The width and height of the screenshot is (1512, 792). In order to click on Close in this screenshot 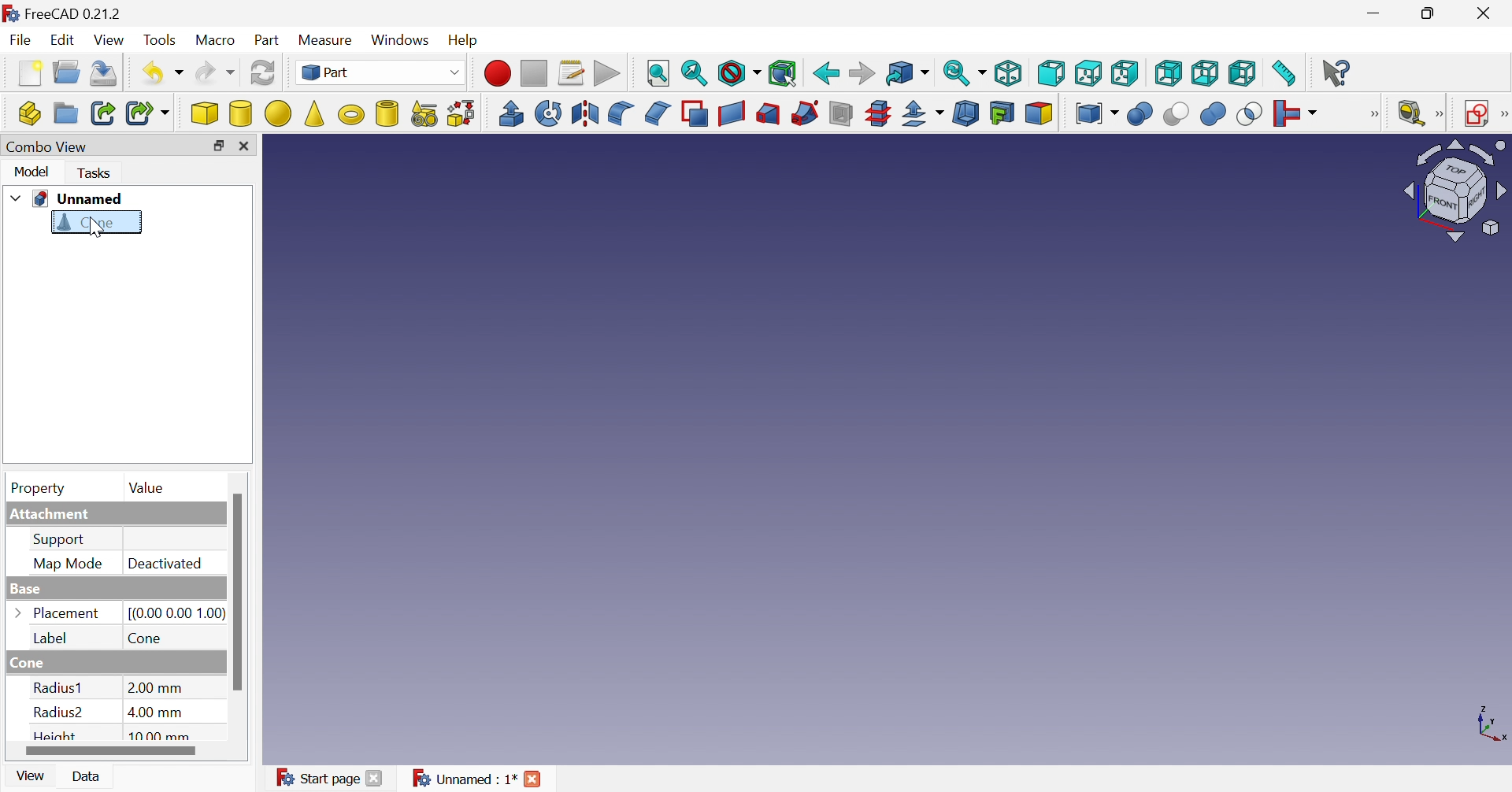, I will do `click(533, 782)`.